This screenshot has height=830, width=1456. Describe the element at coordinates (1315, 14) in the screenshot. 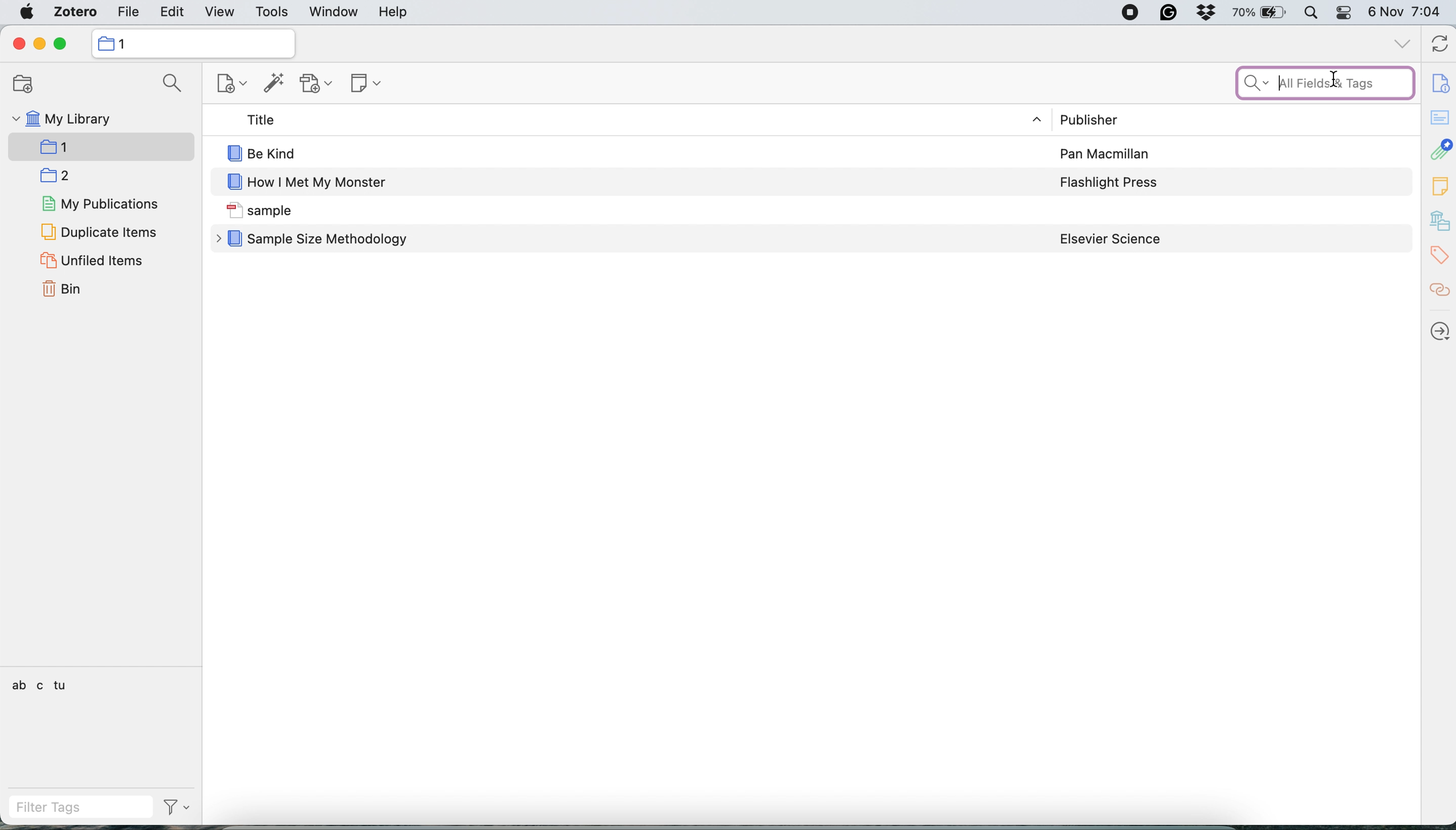

I see `spotlight search` at that location.